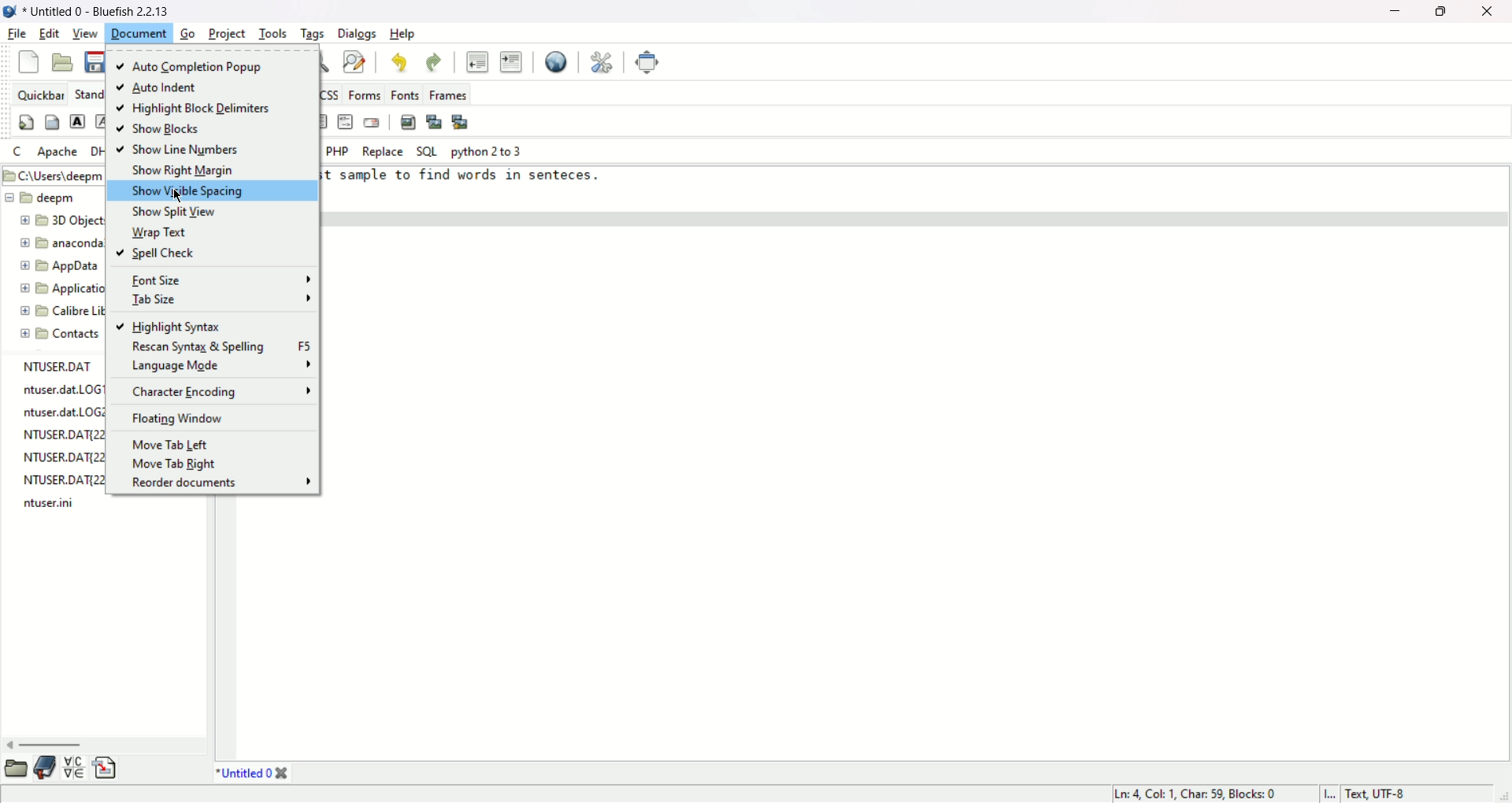 The height and width of the screenshot is (803, 1512). What do you see at coordinates (1198, 794) in the screenshot?
I see `Ln: 4, Col: 1, Char: 59, Blocks: 0` at bounding box center [1198, 794].